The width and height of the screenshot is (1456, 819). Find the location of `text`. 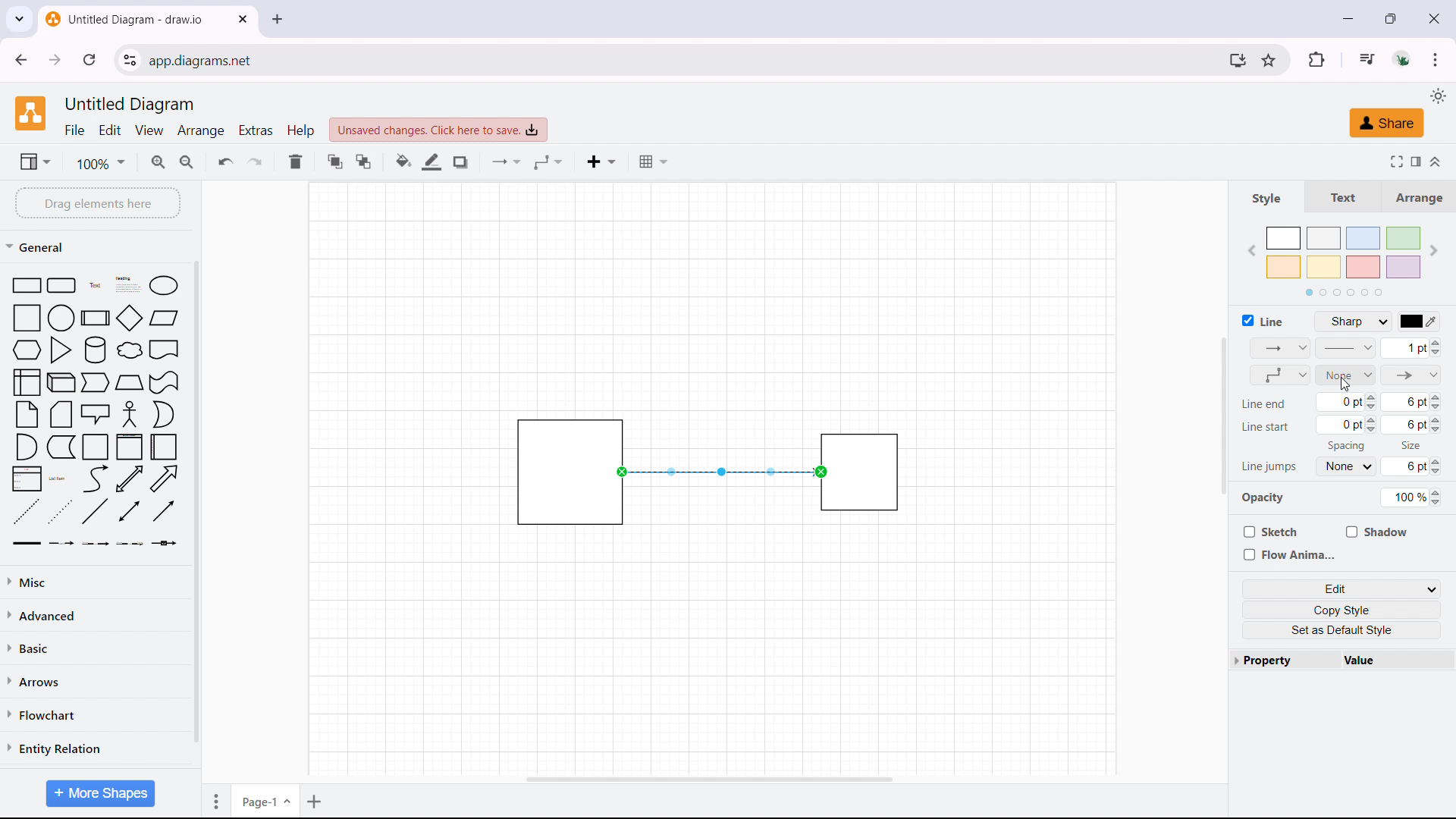

text is located at coordinates (1339, 196).